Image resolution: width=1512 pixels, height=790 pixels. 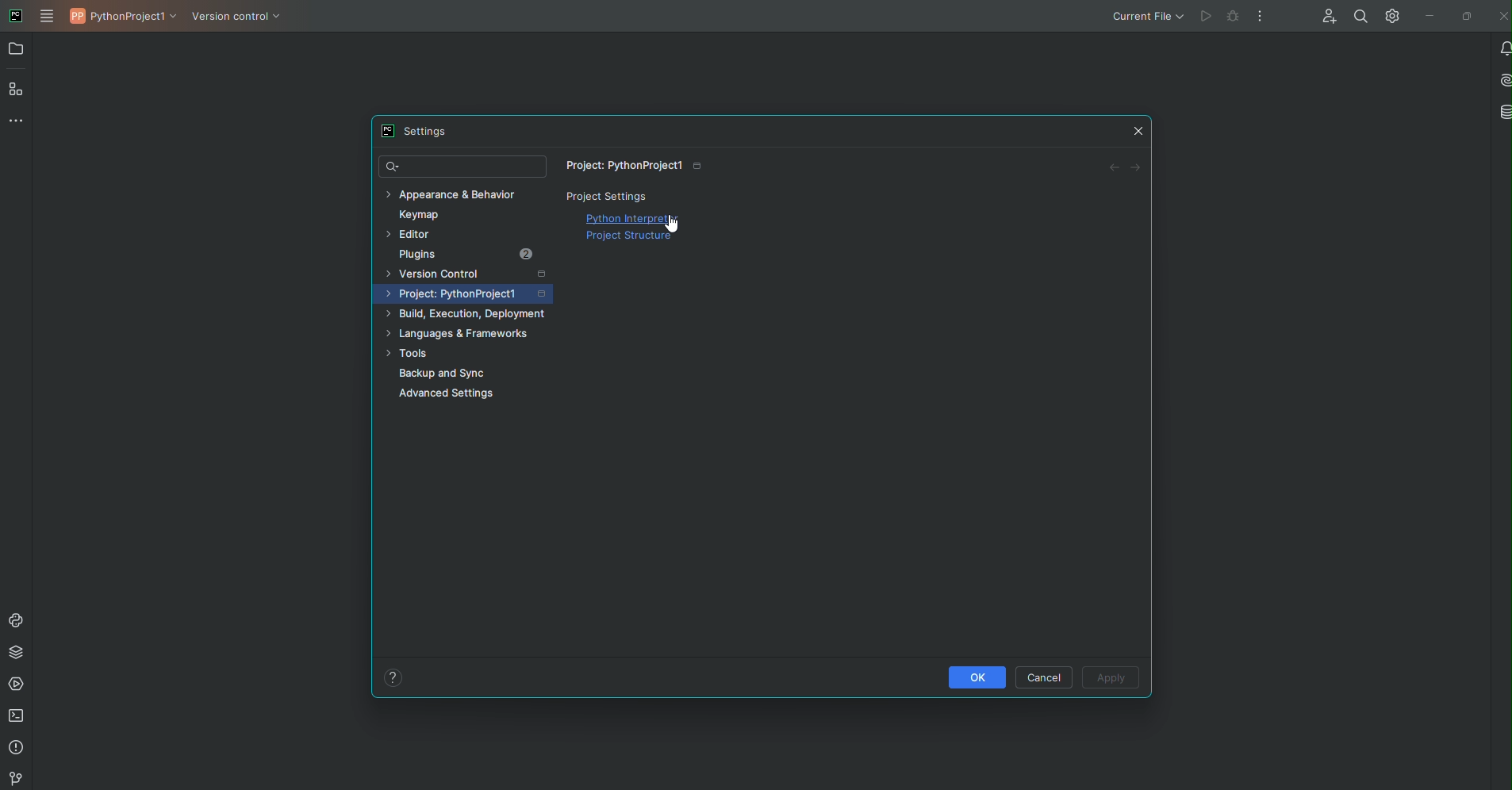 What do you see at coordinates (443, 374) in the screenshot?
I see `Backup and Sync` at bounding box center [443, 374].